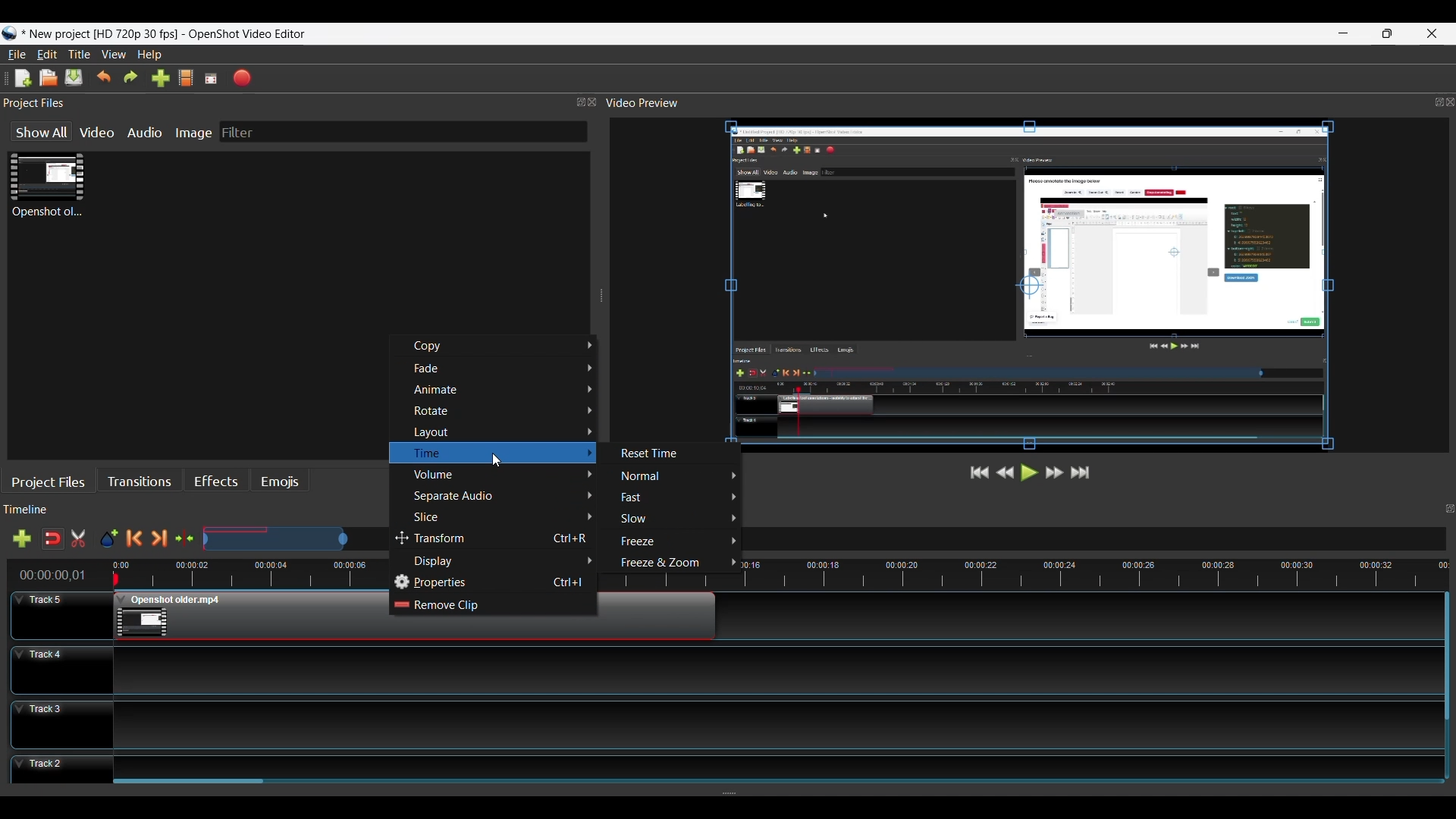 The image size is (1456, 819). Describe the element at coordinates (491, 453) in the screenshot. I see `Time` at that location.